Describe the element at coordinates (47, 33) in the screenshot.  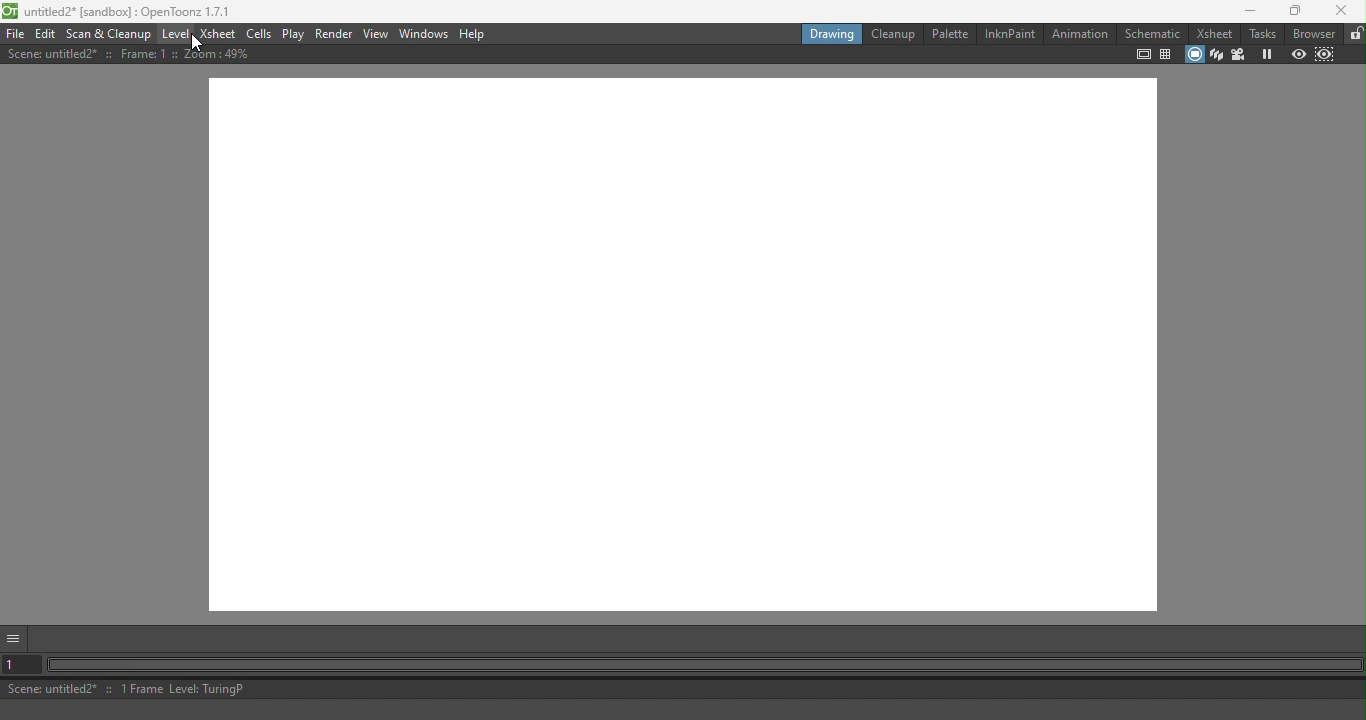
I see `Edit` at that location.